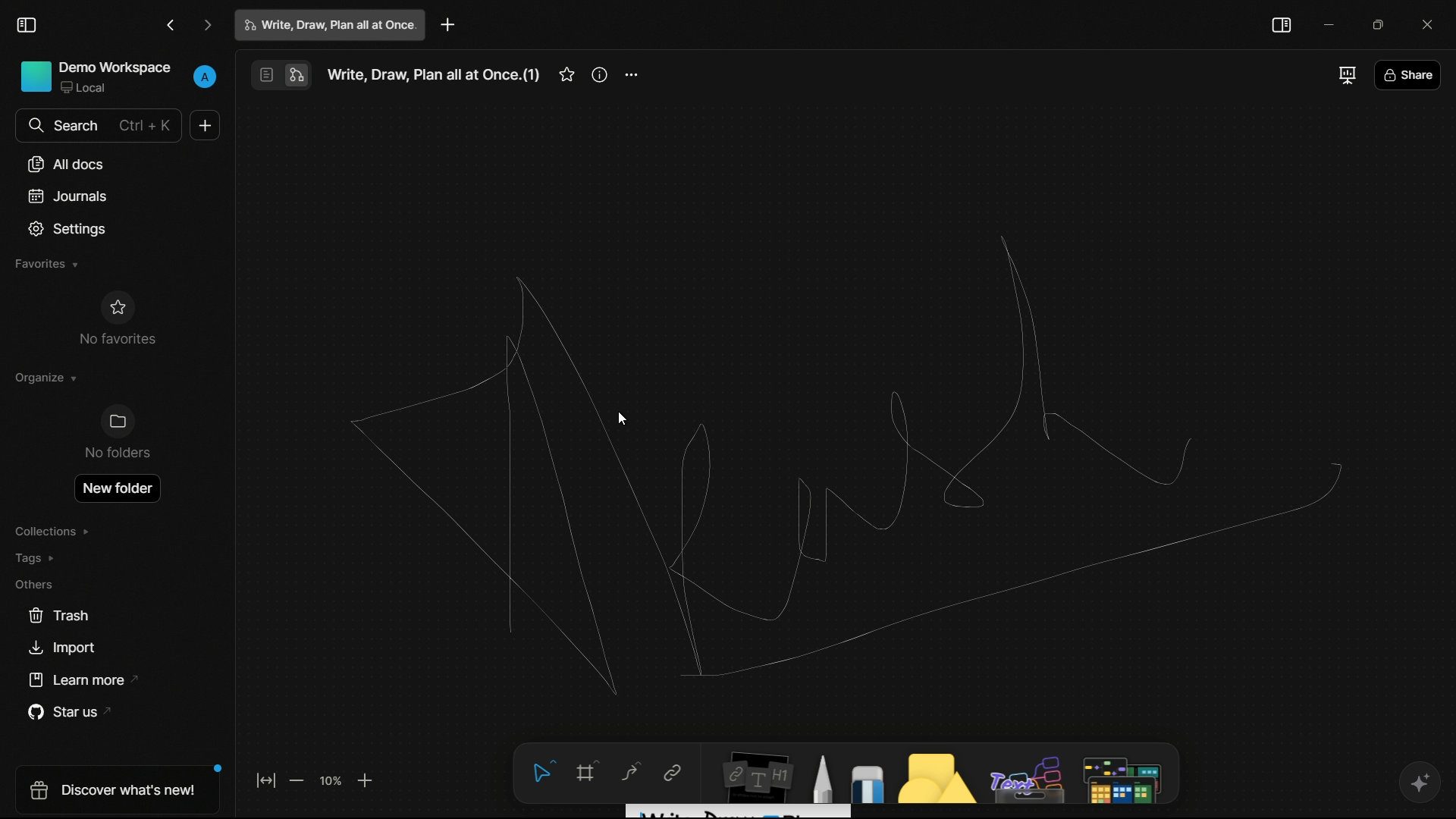 This screenshot has width=1456, height=819. I want to click on learn more, so click(75, 681).